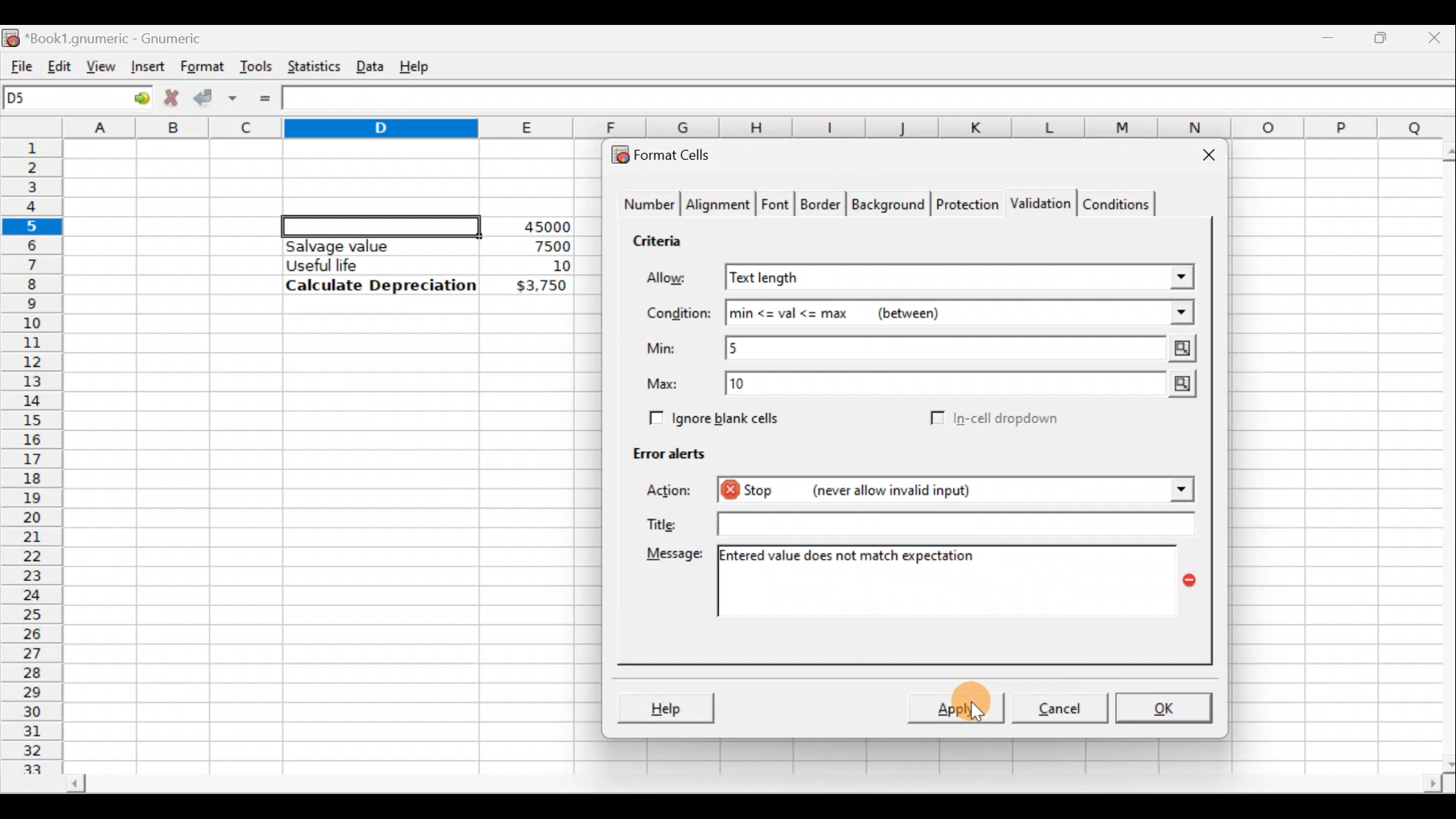 This screenshot has width=1456, height=819. I want to click on Number, so click(645, 206).